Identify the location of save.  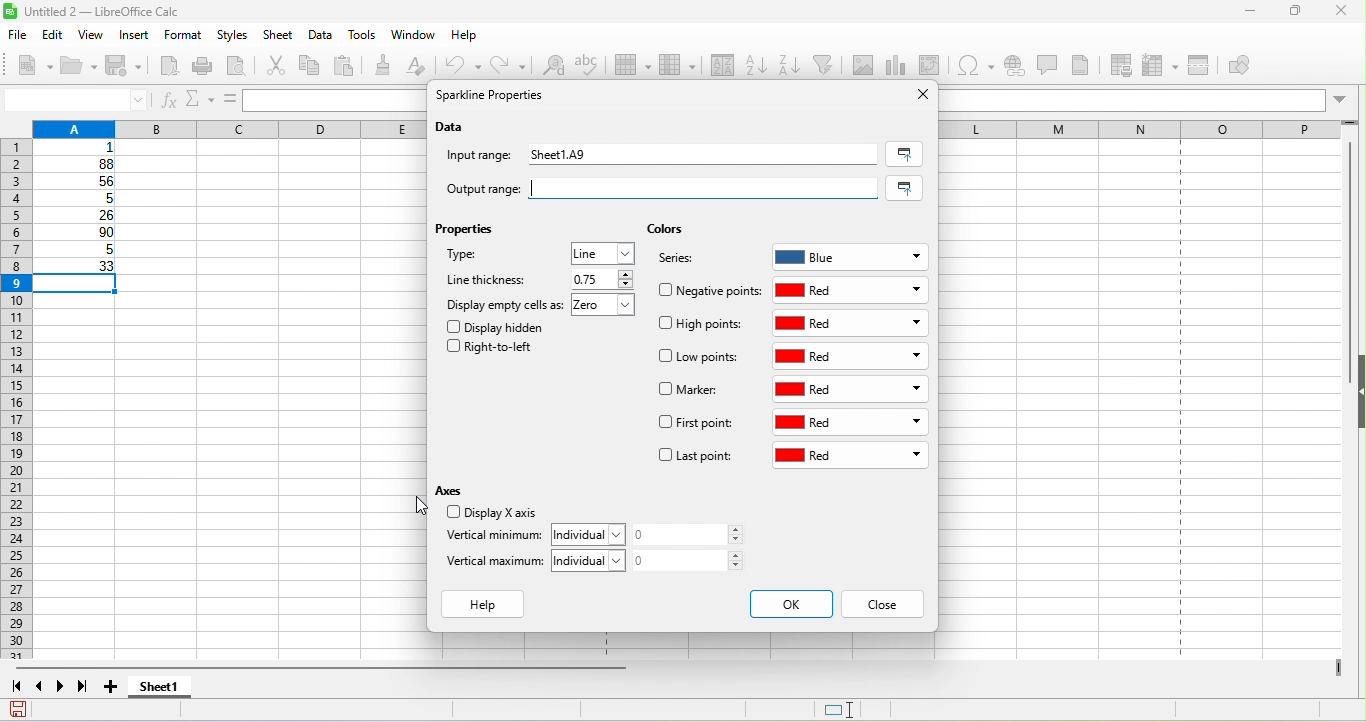
(128, 68).